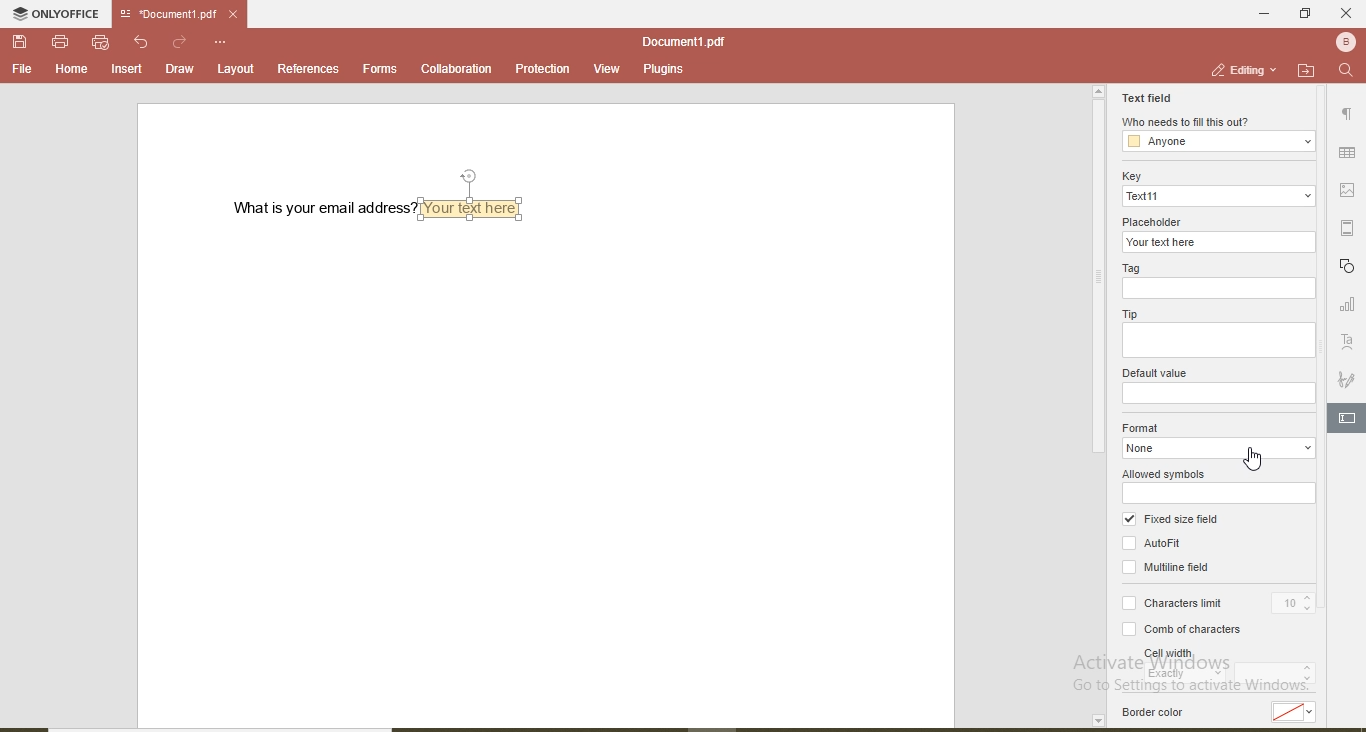 The height and width of the screenshot is (732, 1366). Describe the element at coordinates (316, 208) in the screenshot. I see `what is your email address?` at that location.